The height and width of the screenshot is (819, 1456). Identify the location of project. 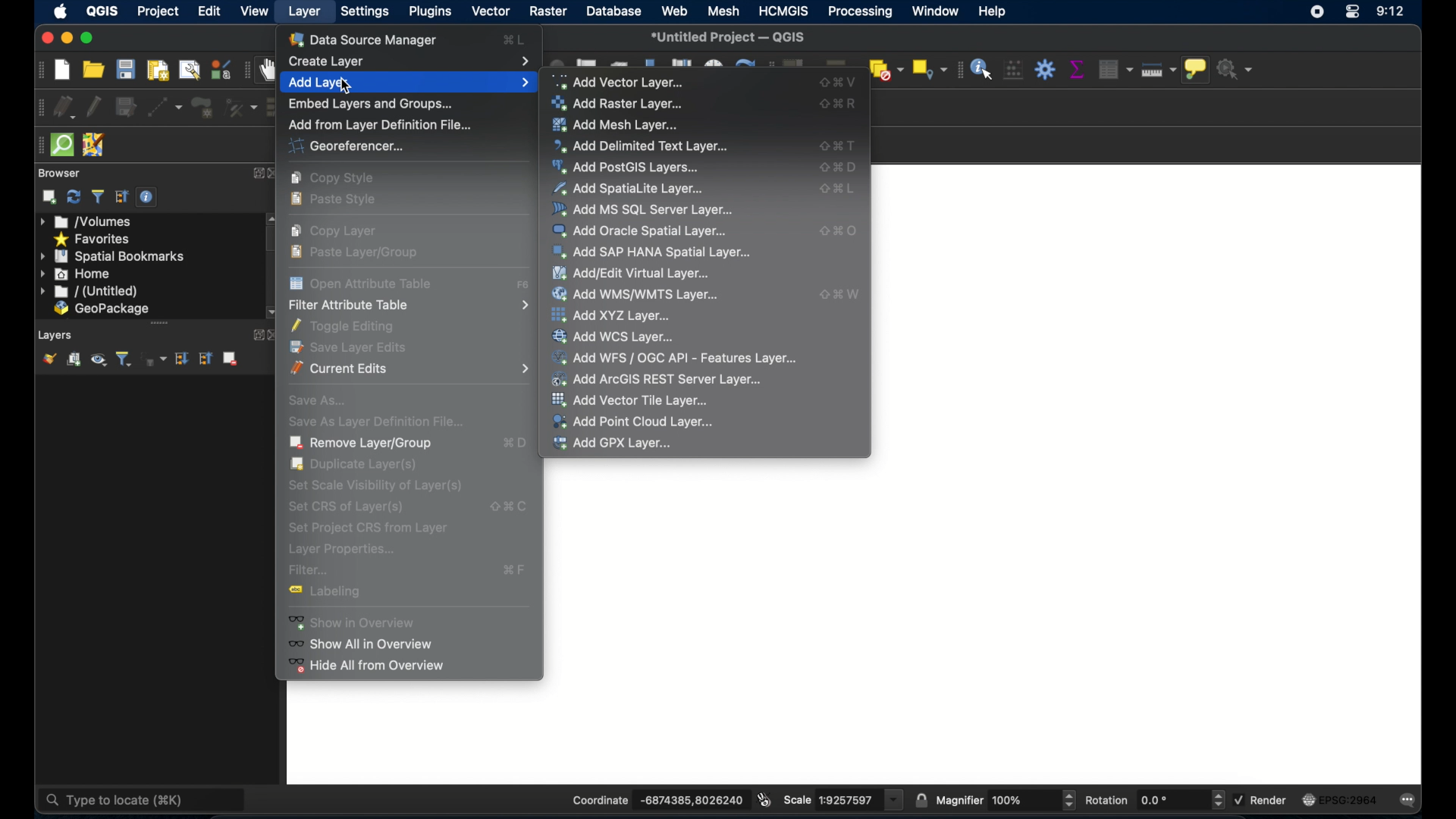
(158, 11).